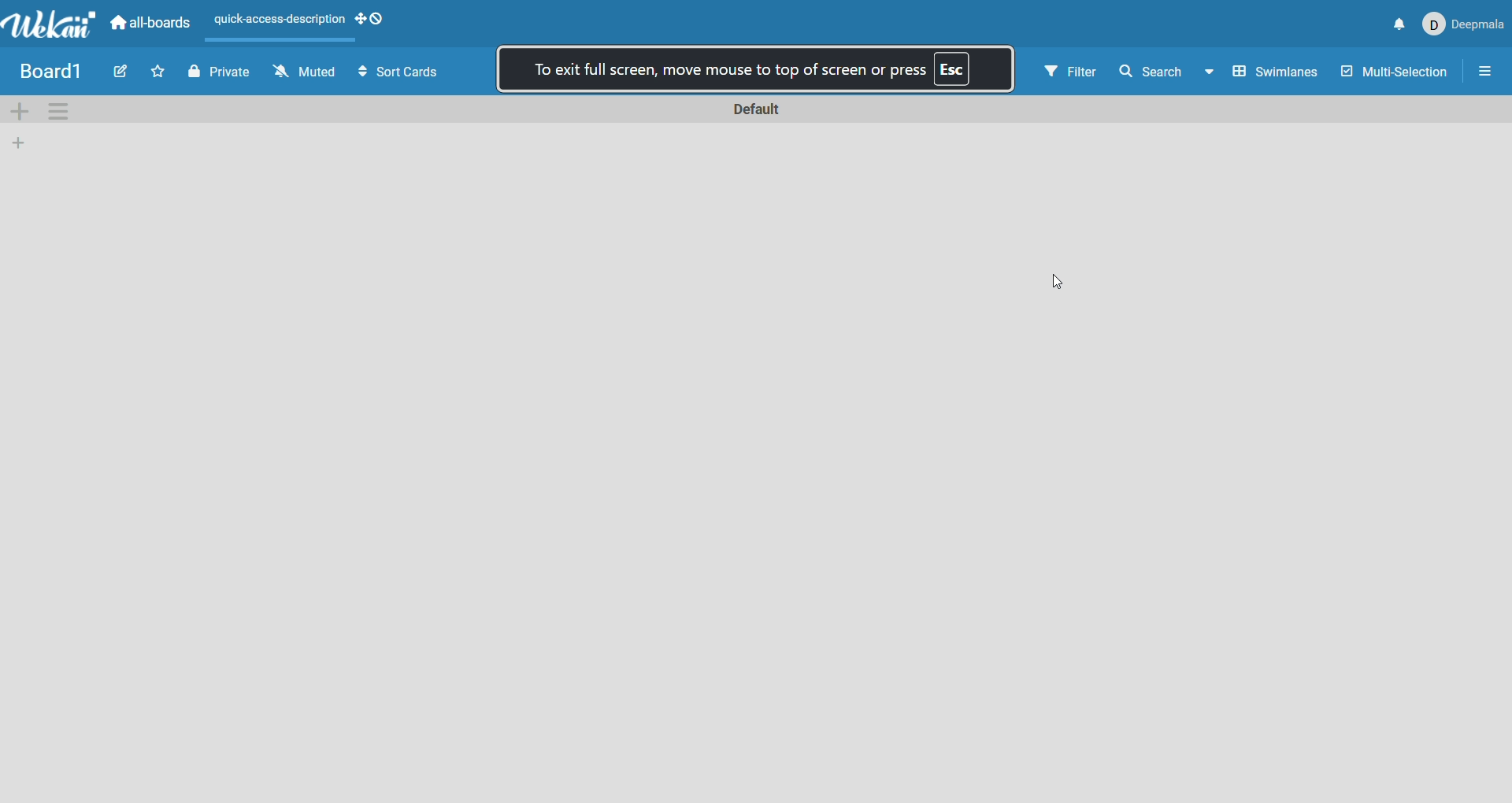 This screenshot has height=803, width=1512. What do you see at coordinates (756, 109) in the screenshot?
I see `default` at bounding box center [756, 109].